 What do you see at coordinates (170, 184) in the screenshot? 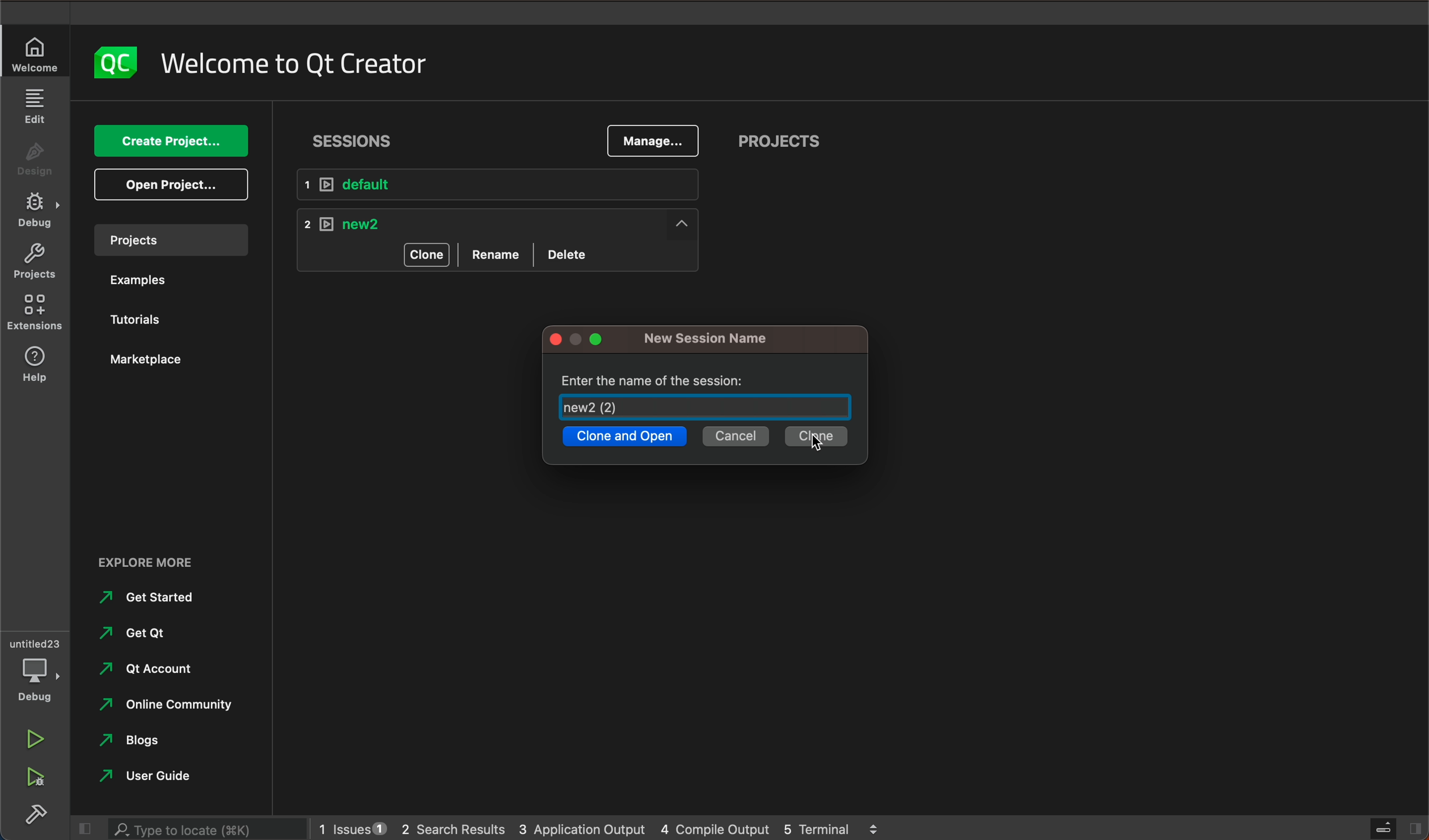
I see `open project` at bounding box center [170, 184].